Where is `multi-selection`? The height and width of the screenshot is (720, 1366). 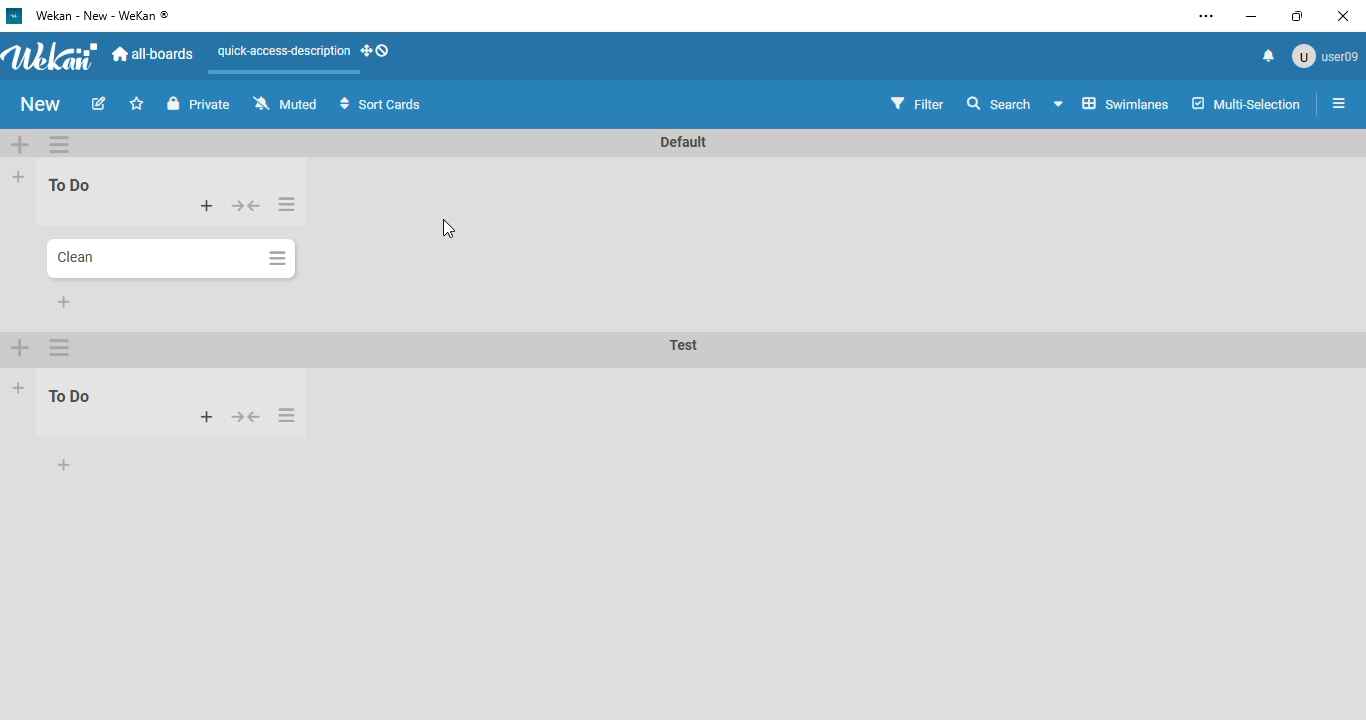
multi-selection is located at coordinates (1246, 104).